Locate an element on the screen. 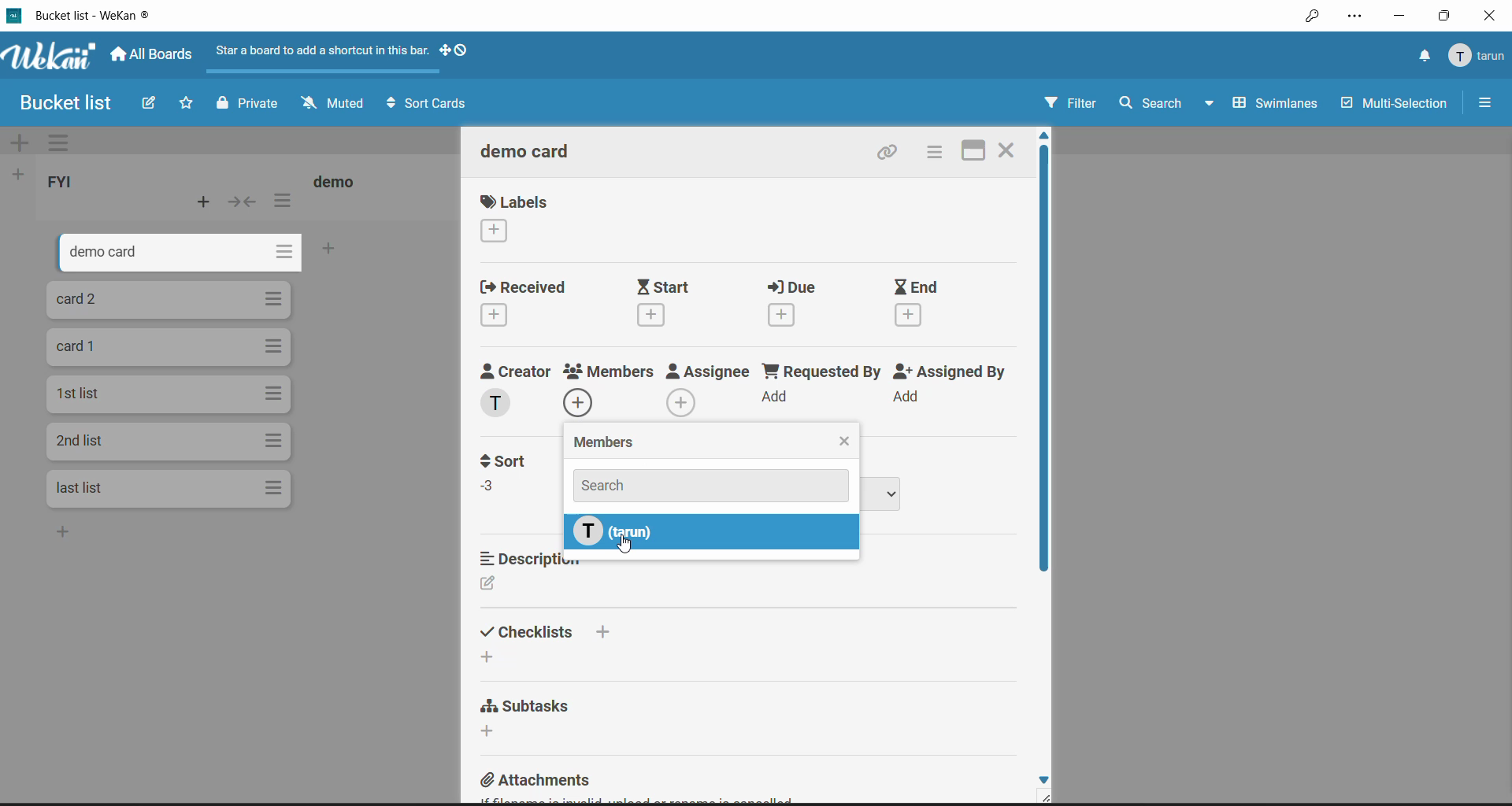 This screenshot has height=806, width=1512. search is located at coordinates (1152, 105).